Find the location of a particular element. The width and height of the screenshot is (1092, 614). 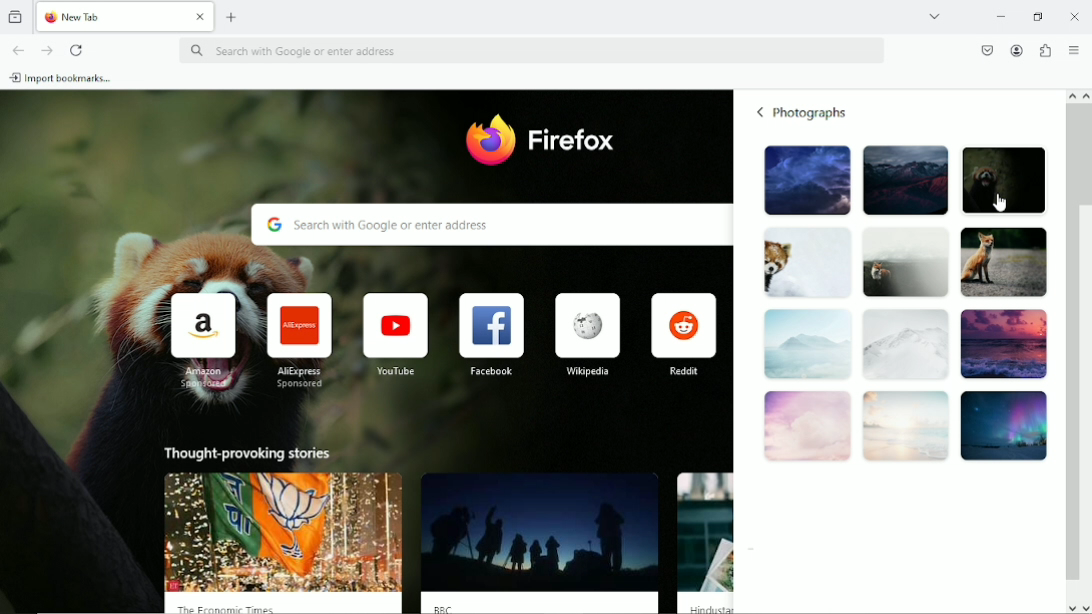

Photograph is located at coordinates (803, 263).